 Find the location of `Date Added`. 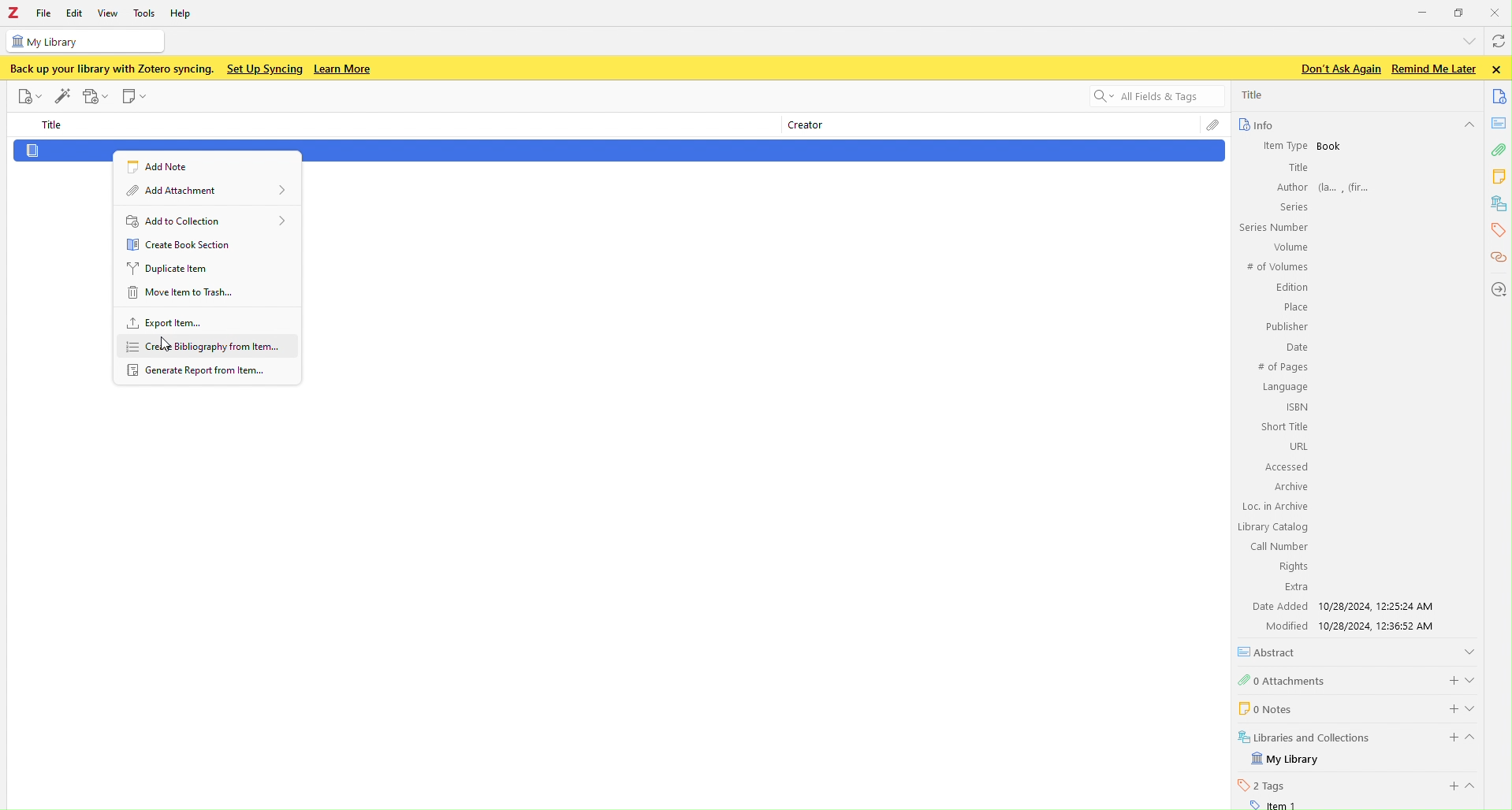

Date Added is located at coordinates (1278, 606).